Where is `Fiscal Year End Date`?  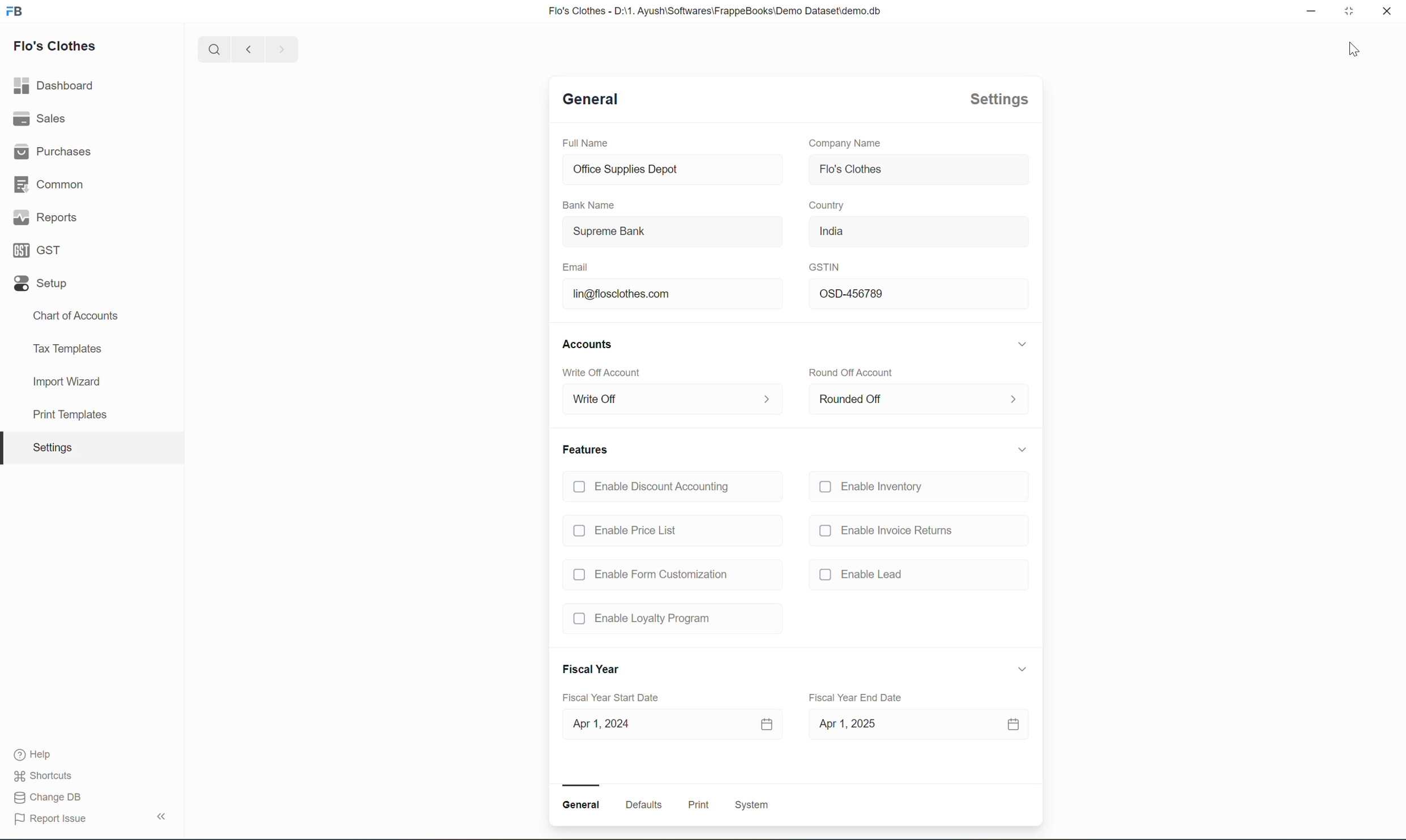
Fiscal Year End Date is located at coordinates (855, 698).